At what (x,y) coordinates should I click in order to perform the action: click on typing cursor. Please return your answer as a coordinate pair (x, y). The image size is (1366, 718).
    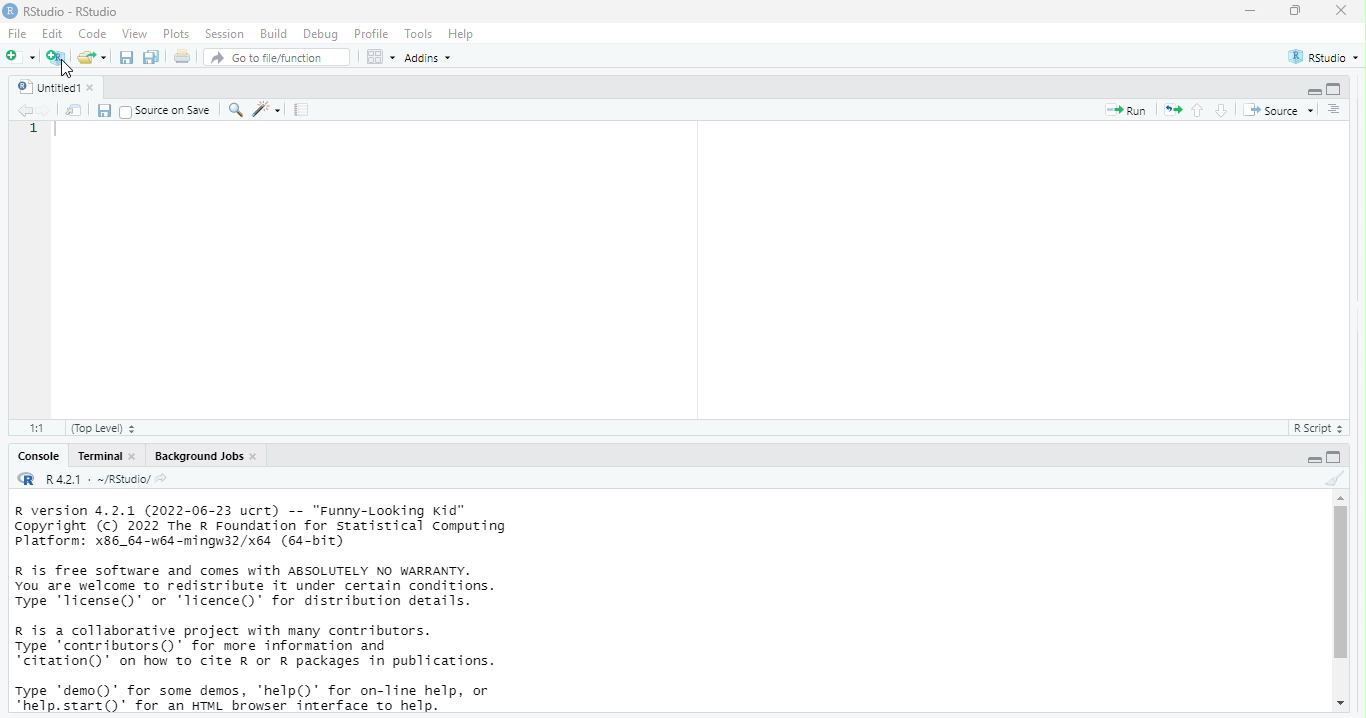
    Looking at the image, I should click on (63, 131).